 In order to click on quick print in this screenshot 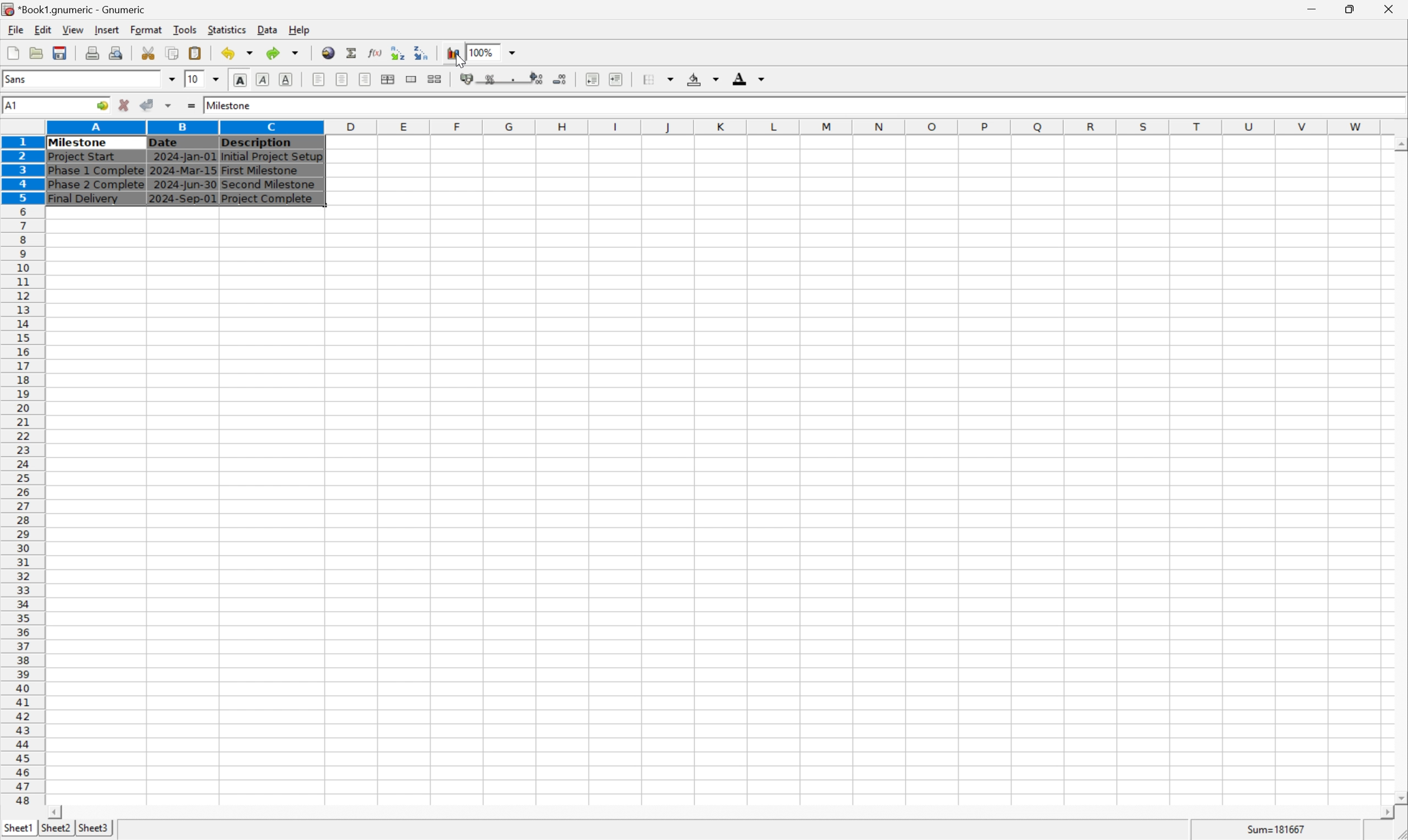, I will do `click(117, 53)`.